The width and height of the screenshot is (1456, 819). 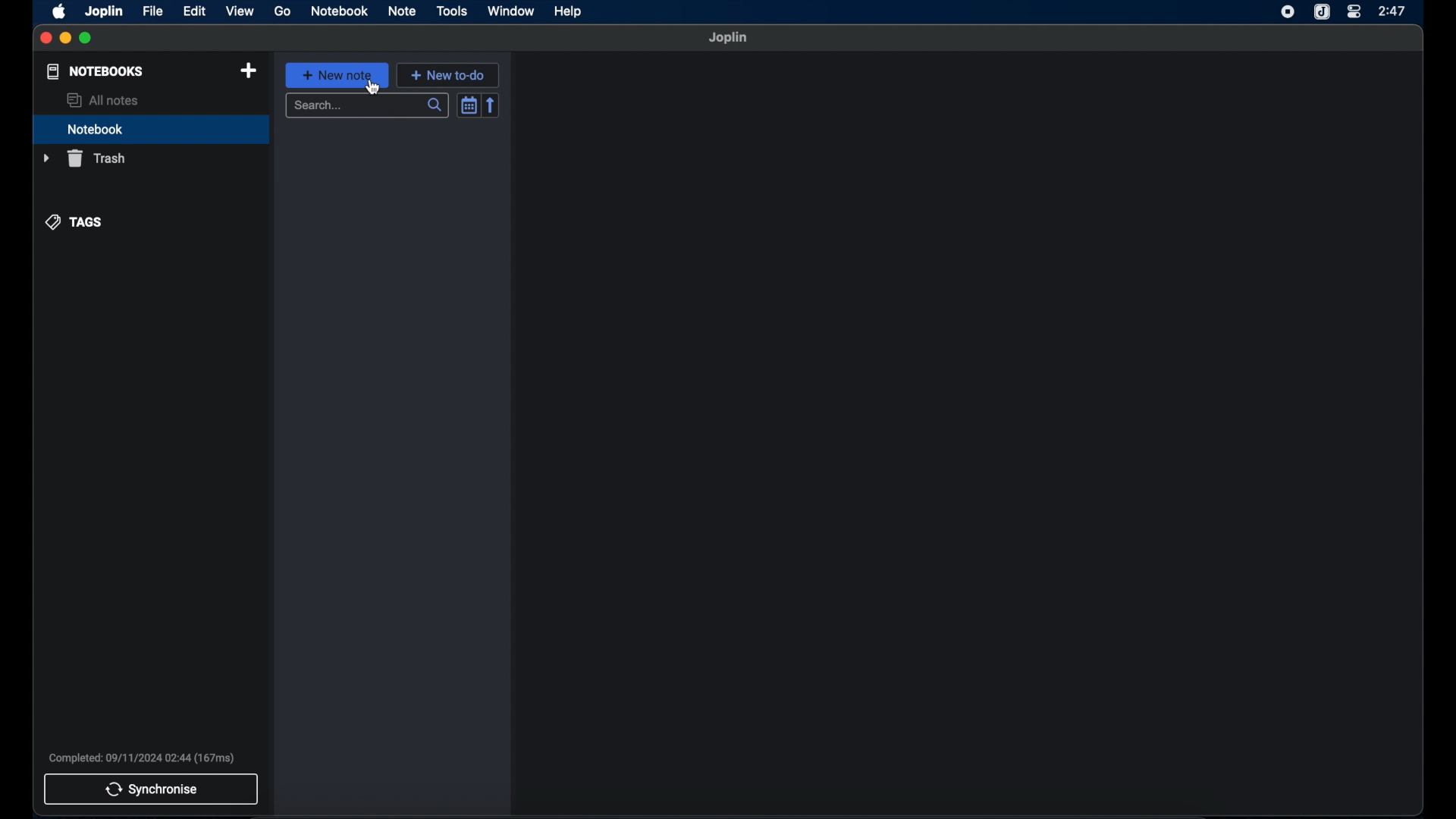 What do you see at coordinates (511, 11) in the screenshot?
I see `window` at bounding box center [511, 11].